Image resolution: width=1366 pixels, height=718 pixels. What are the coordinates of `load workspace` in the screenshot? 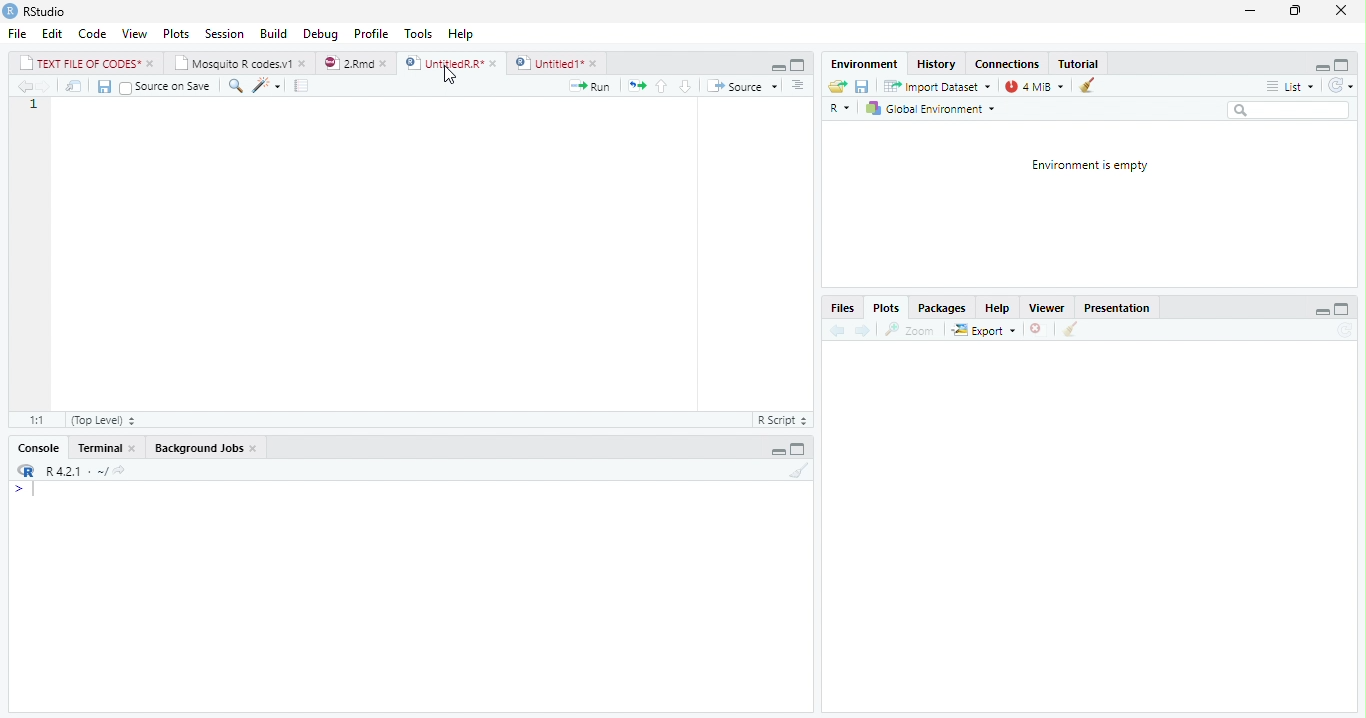 It's located at (836, 86).